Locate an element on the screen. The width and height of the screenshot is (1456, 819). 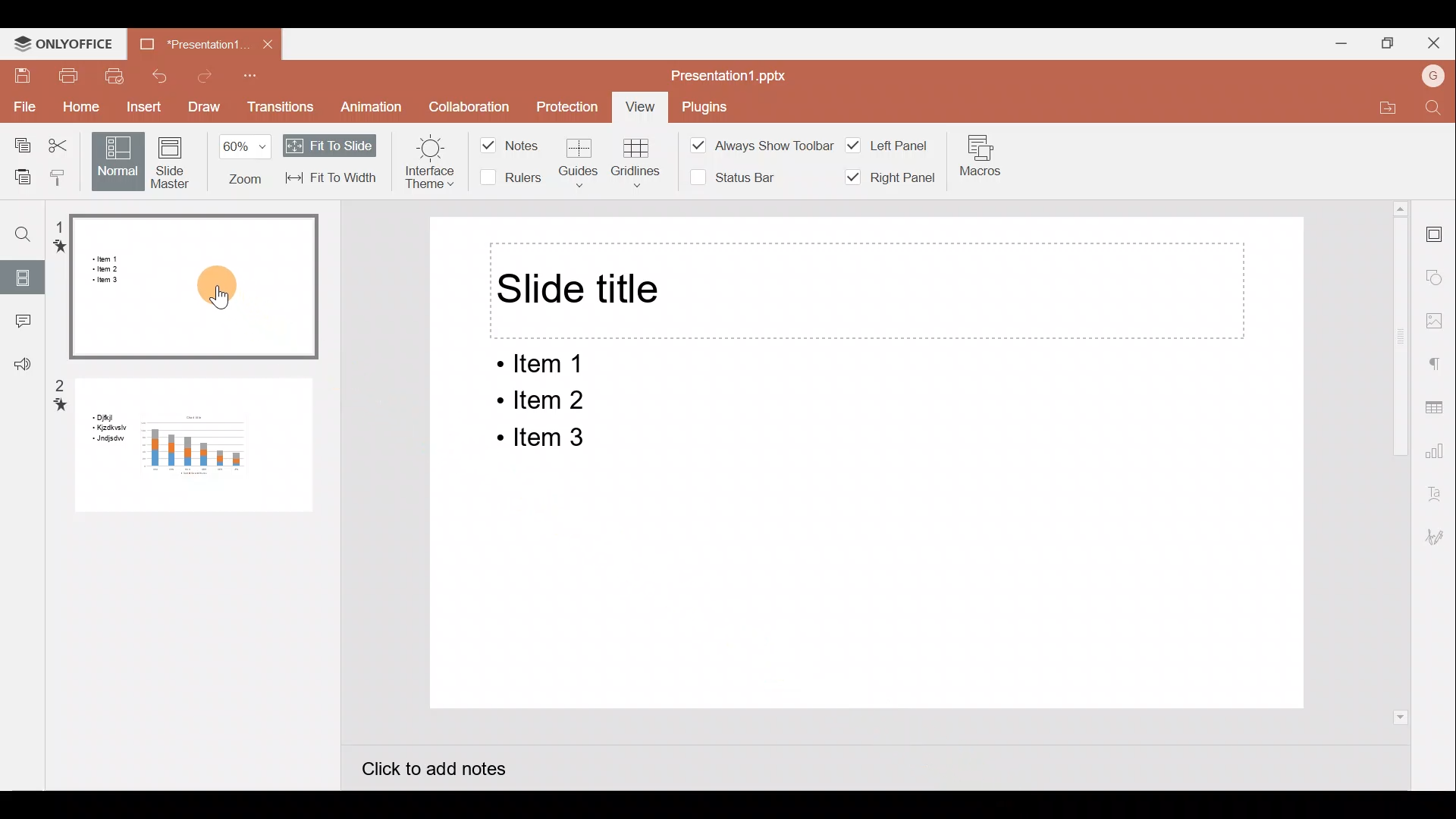
Slide title is located at coordinates (582, 290).